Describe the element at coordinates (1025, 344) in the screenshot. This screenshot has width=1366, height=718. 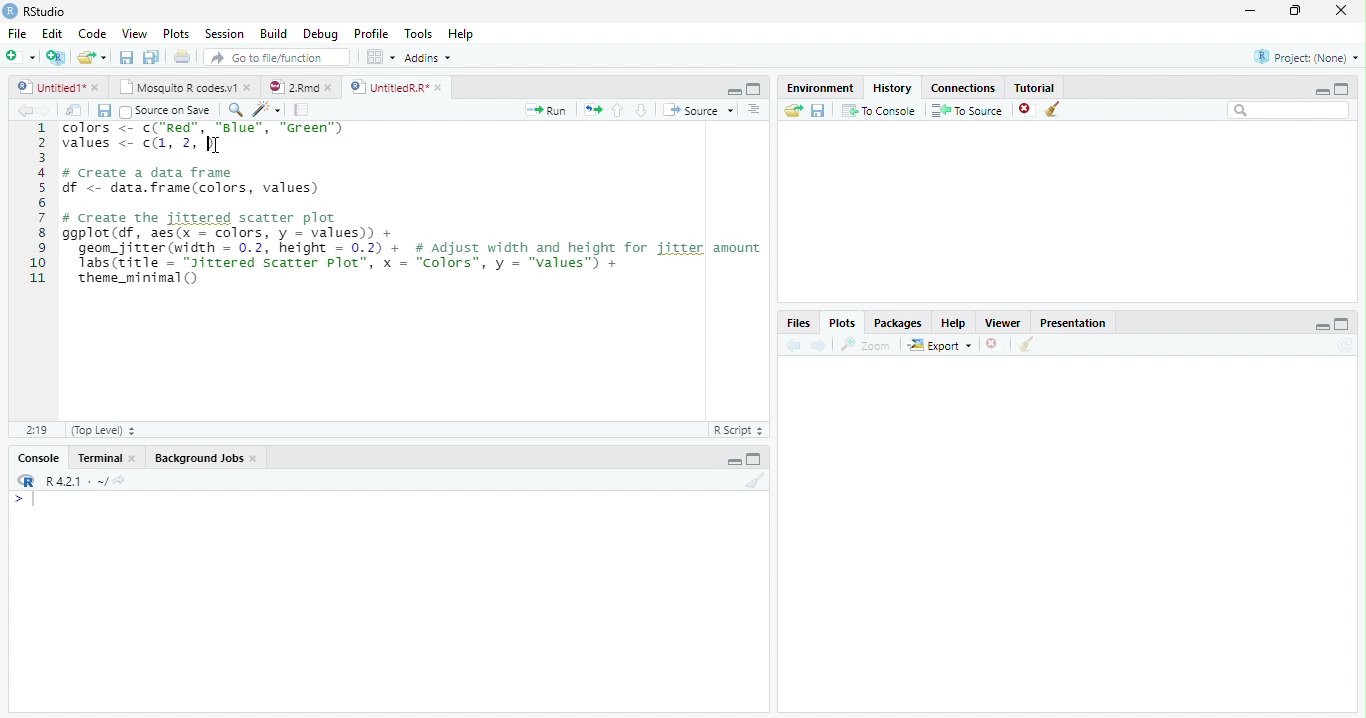
I see `Clear all plots` at that location.